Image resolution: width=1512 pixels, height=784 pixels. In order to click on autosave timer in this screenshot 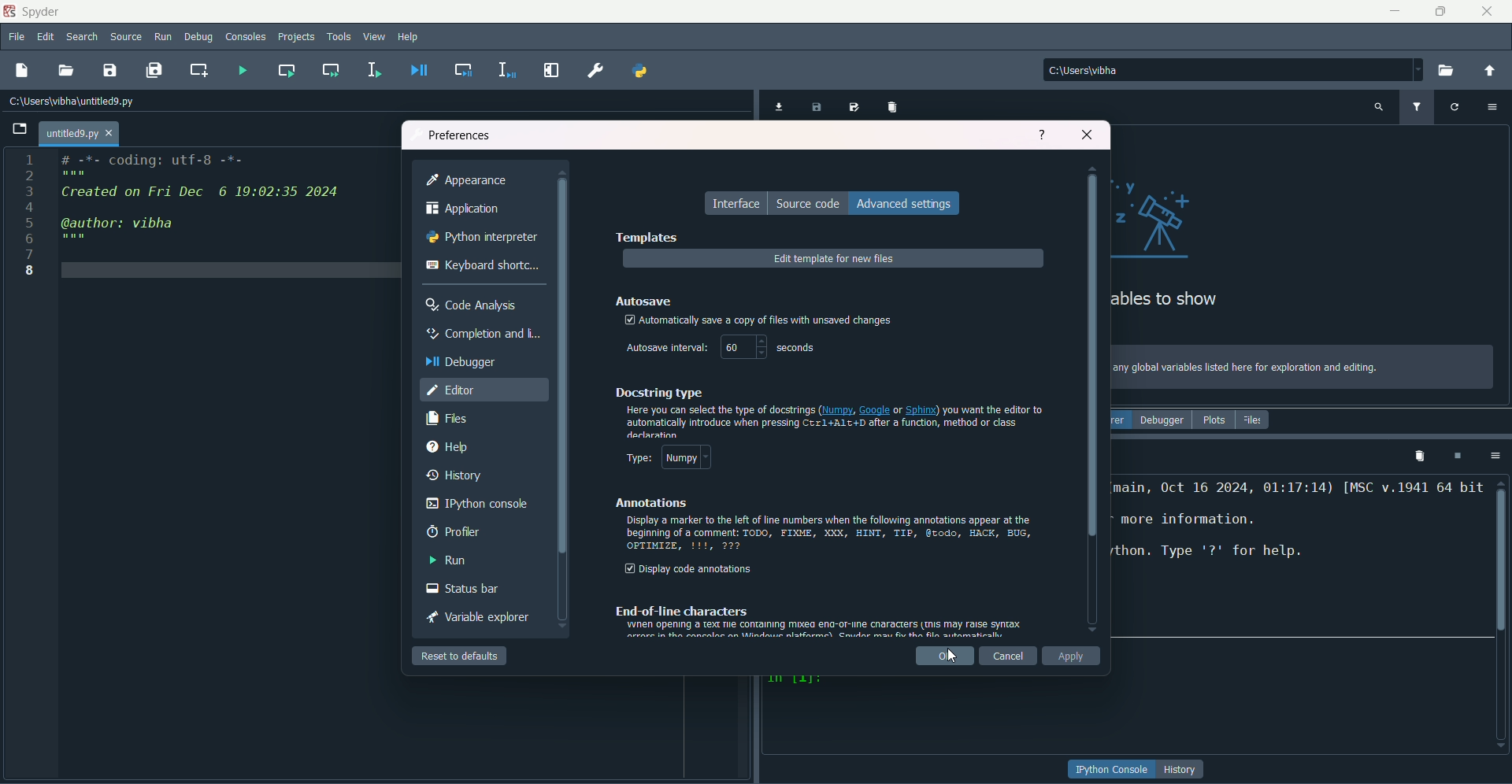, I will do `click(721, 348)`.